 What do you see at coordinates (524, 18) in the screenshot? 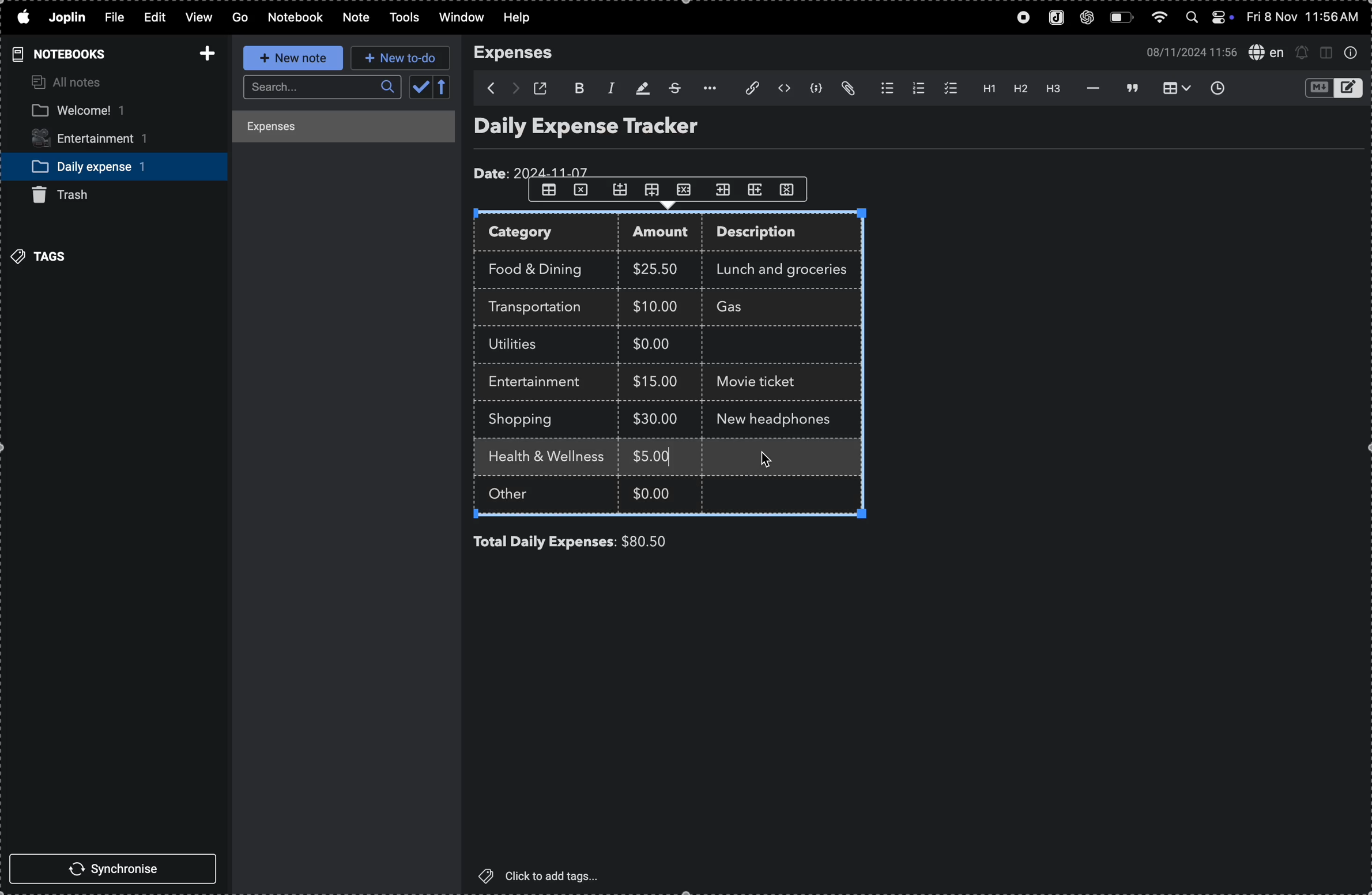
I see `help` at bounding box center [524, 18].